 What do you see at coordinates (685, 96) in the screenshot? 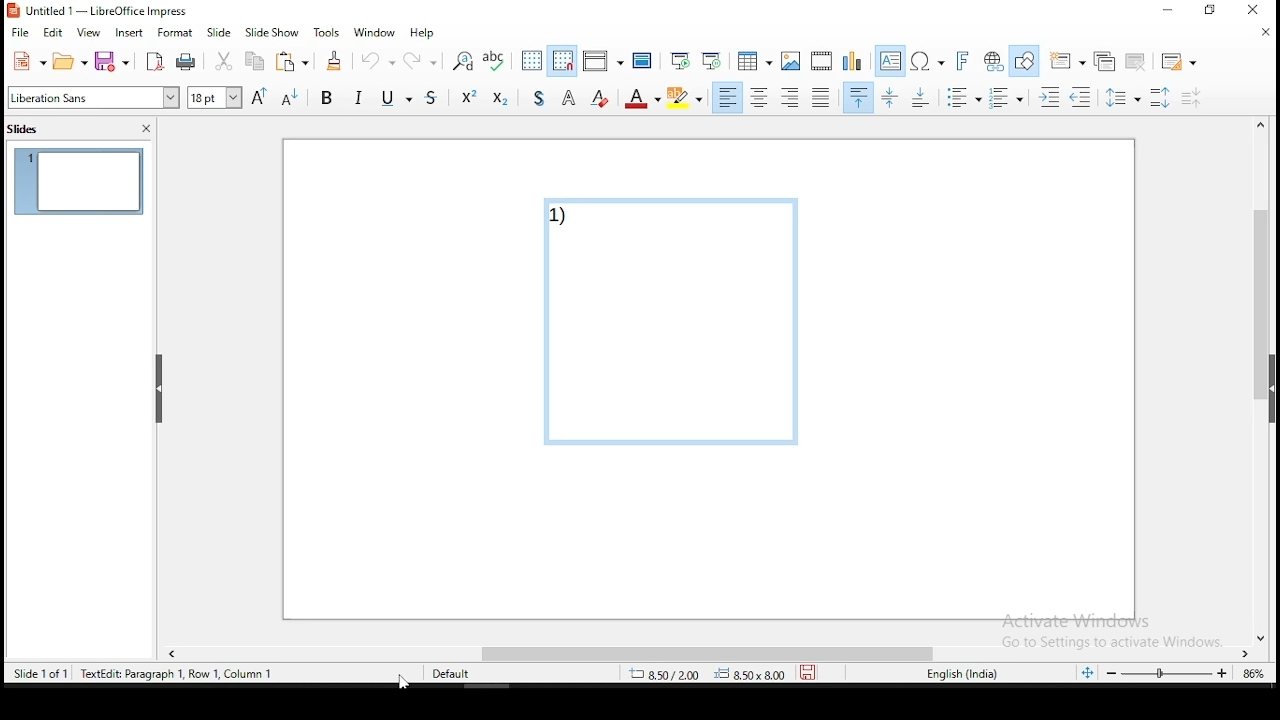
I see `character highlighting color` at bounding box center [685, 96].